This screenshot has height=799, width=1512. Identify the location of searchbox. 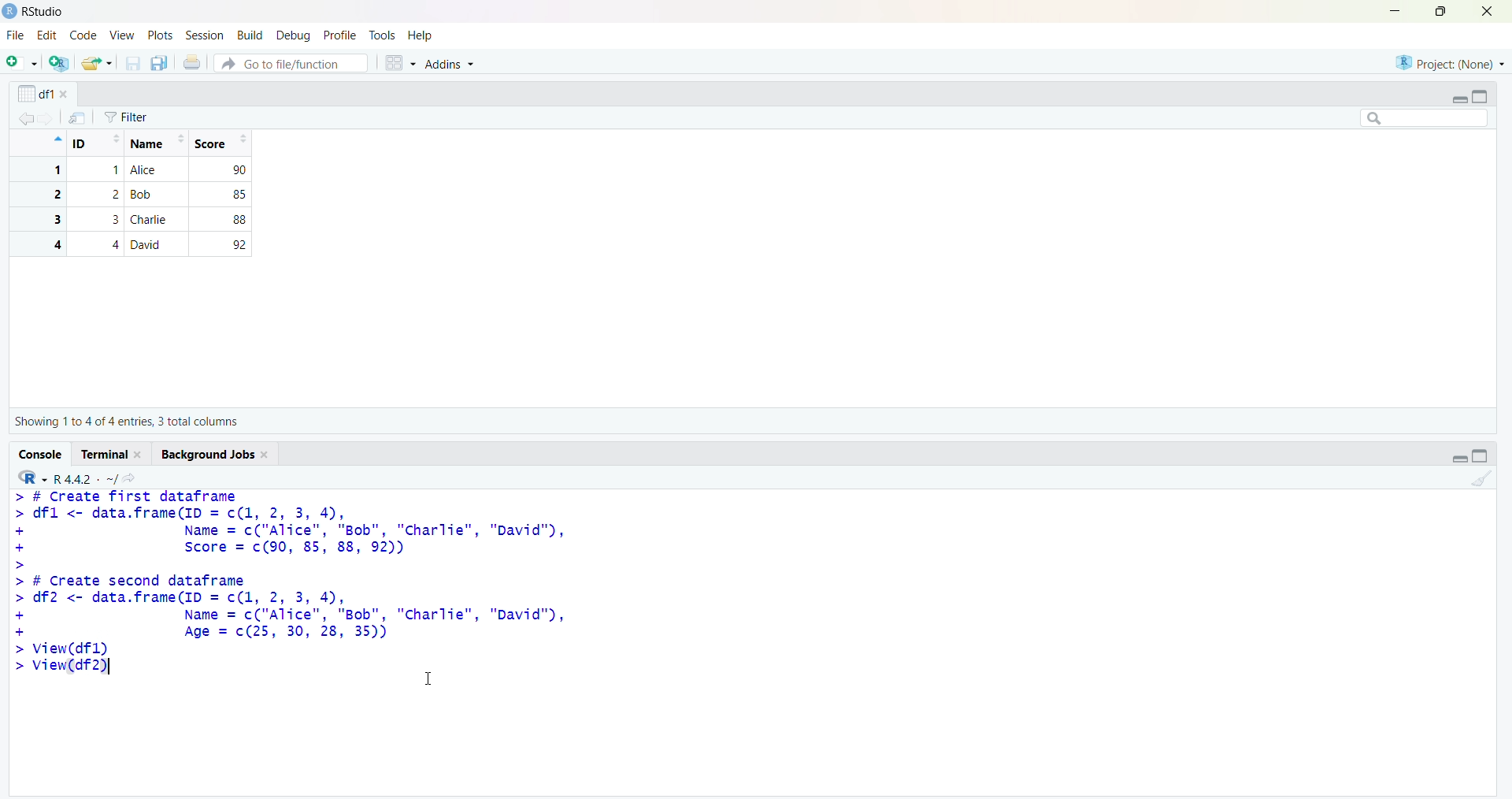
(1425, 117).